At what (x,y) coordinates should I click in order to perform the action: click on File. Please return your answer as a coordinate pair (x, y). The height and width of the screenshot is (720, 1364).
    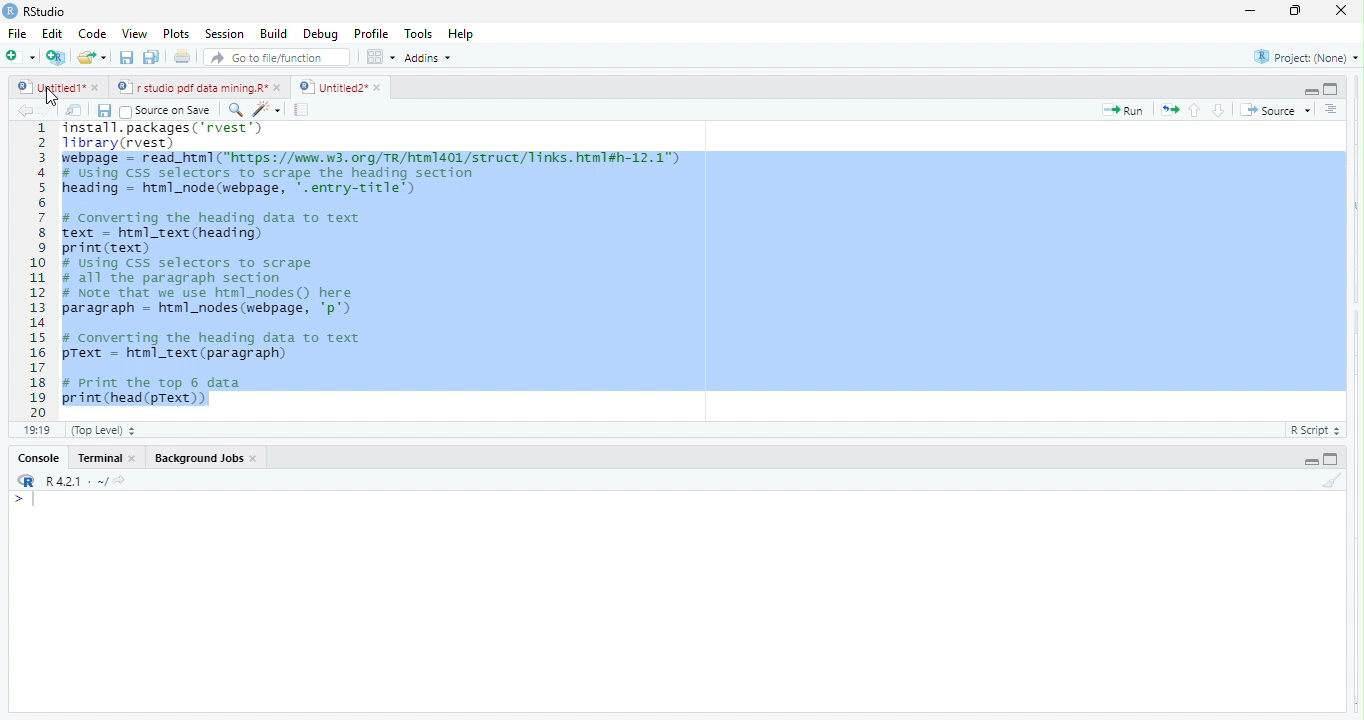
    Looking at the image, I should click on (17, 34).